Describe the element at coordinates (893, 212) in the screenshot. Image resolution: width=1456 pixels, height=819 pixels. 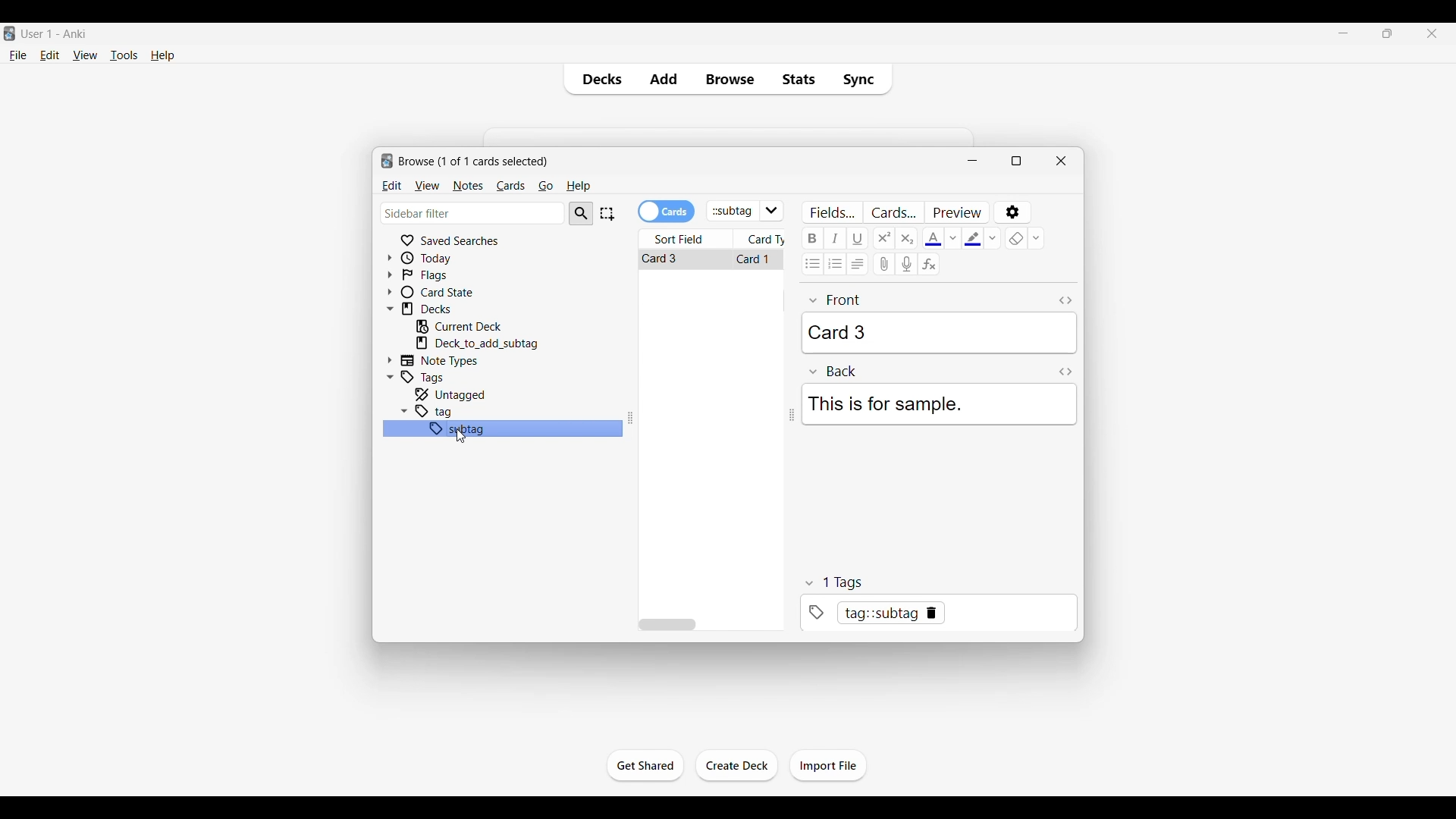
I see `Customize card templates` at that location.